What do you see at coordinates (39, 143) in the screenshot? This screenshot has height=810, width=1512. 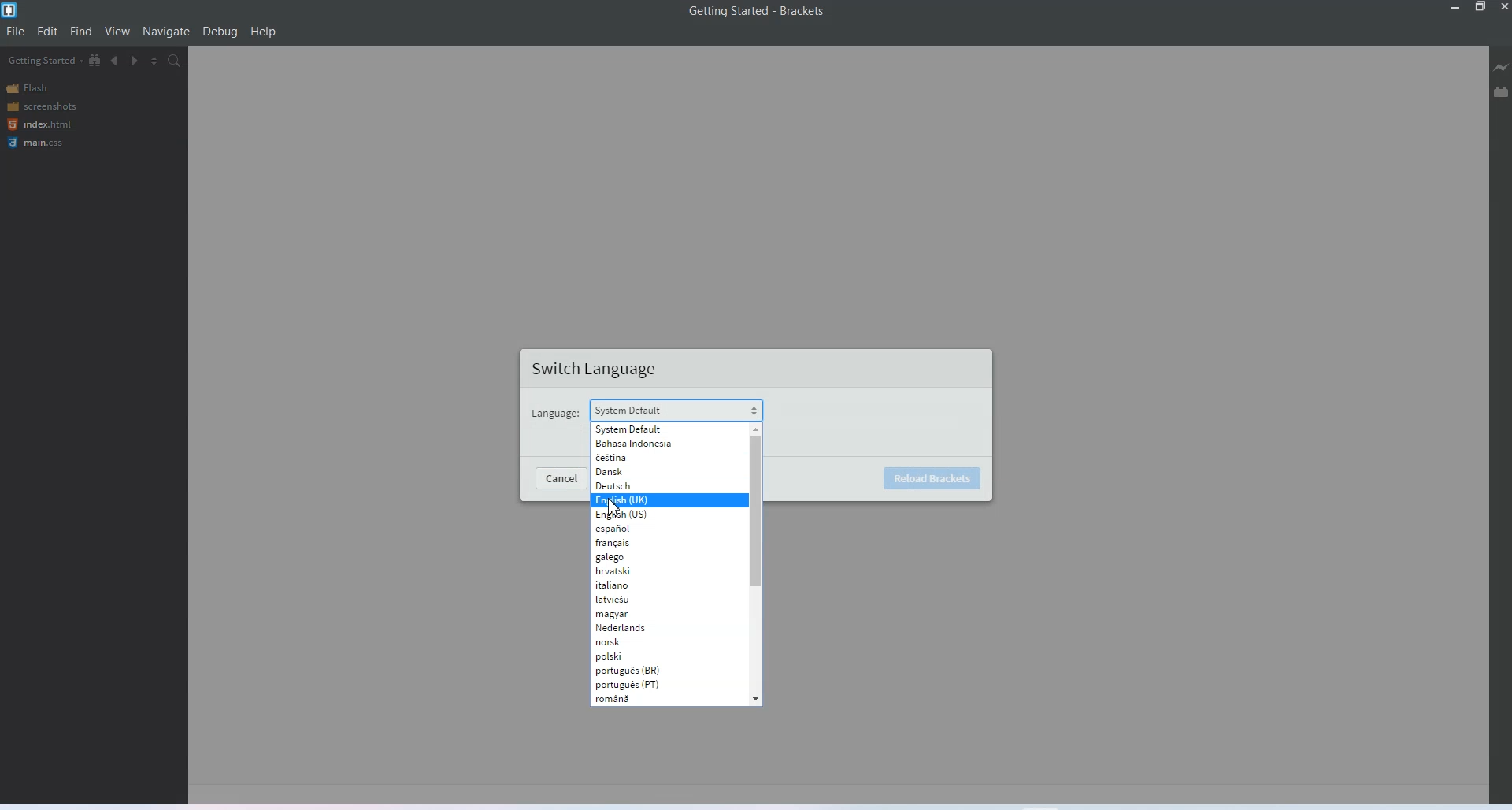 I see `main` at bounding box center [39, 143].